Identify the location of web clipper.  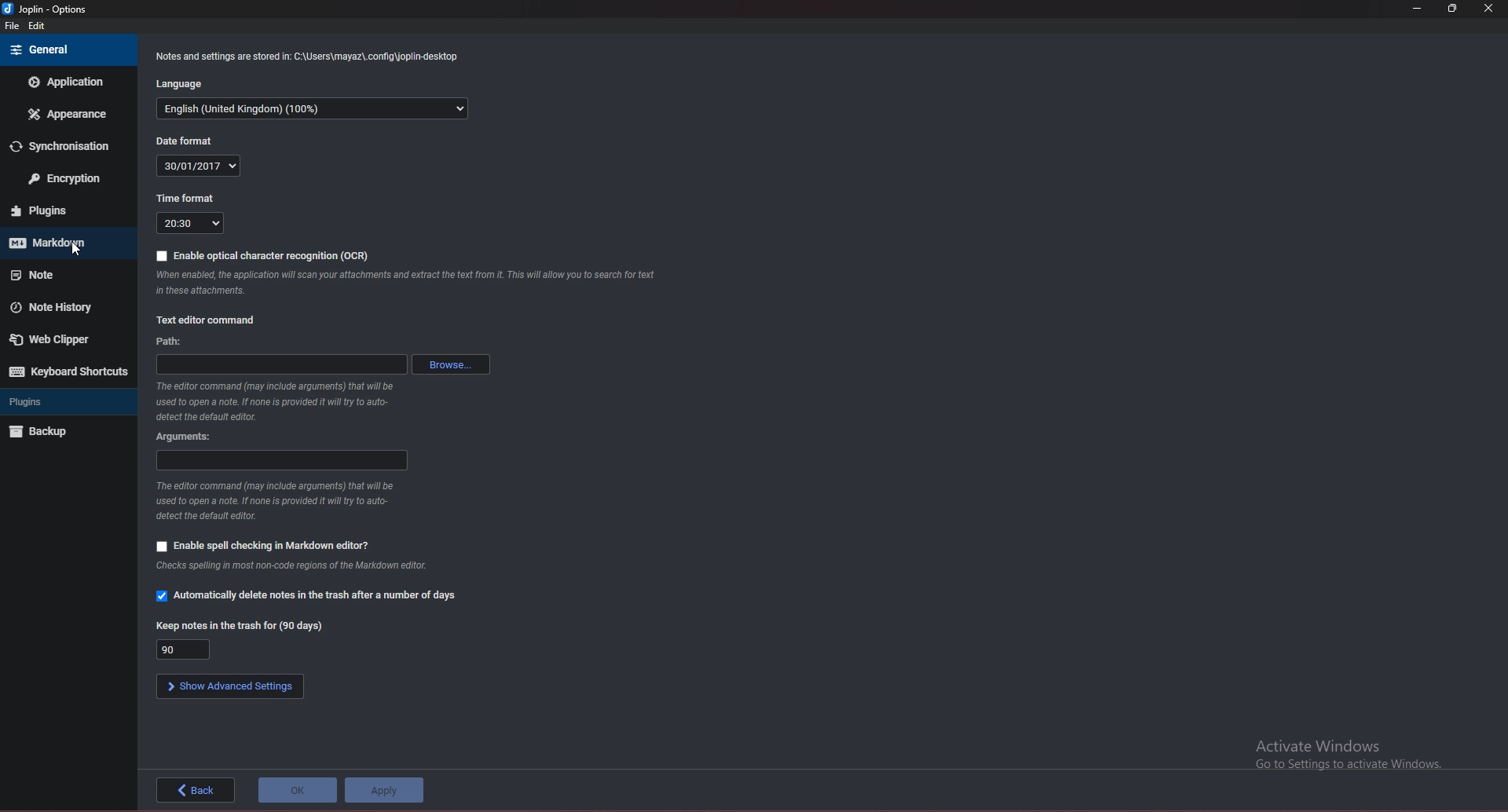
(61, 338).